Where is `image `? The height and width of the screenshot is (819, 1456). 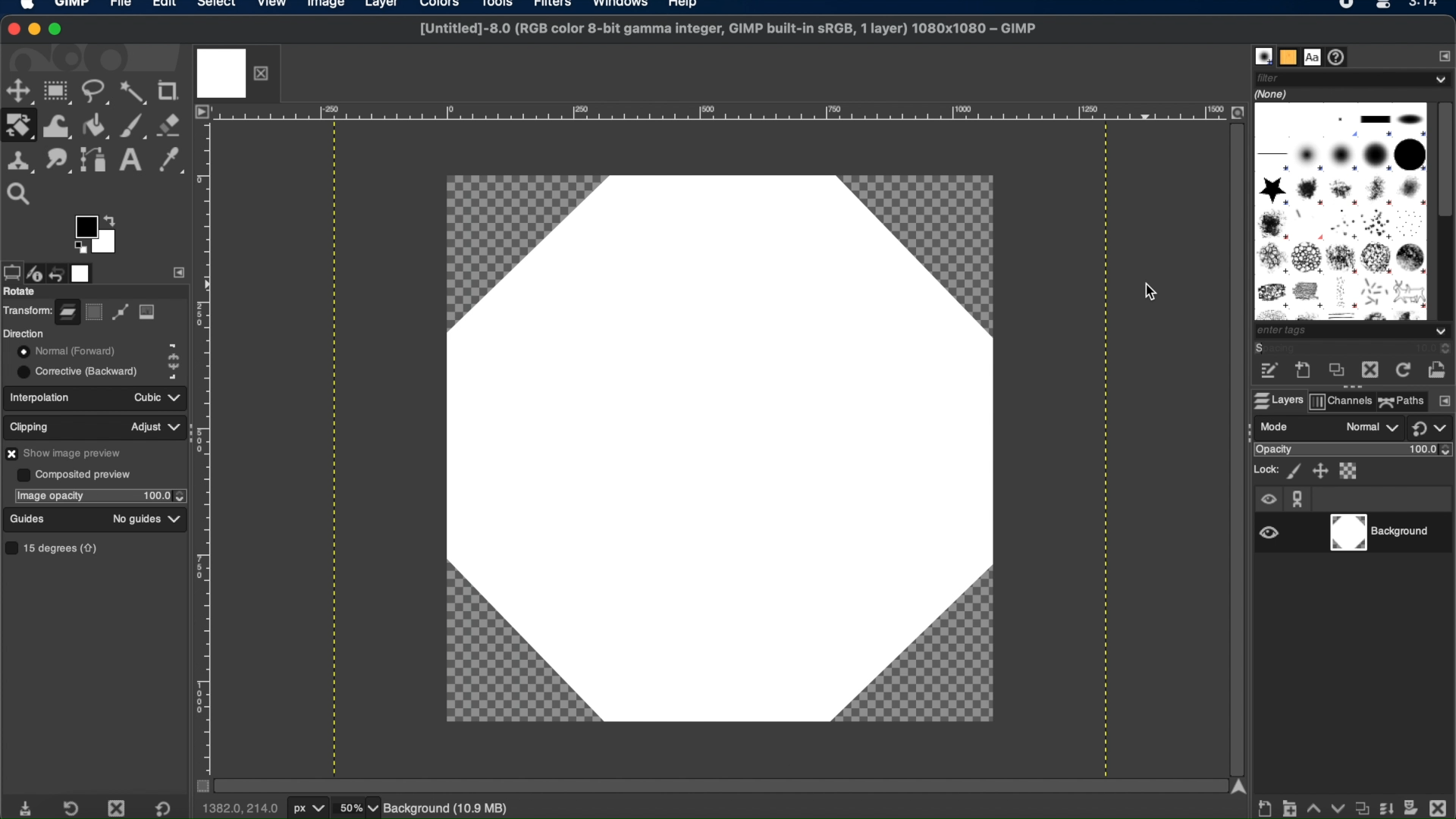
image  is located at coordinates (148, 312).